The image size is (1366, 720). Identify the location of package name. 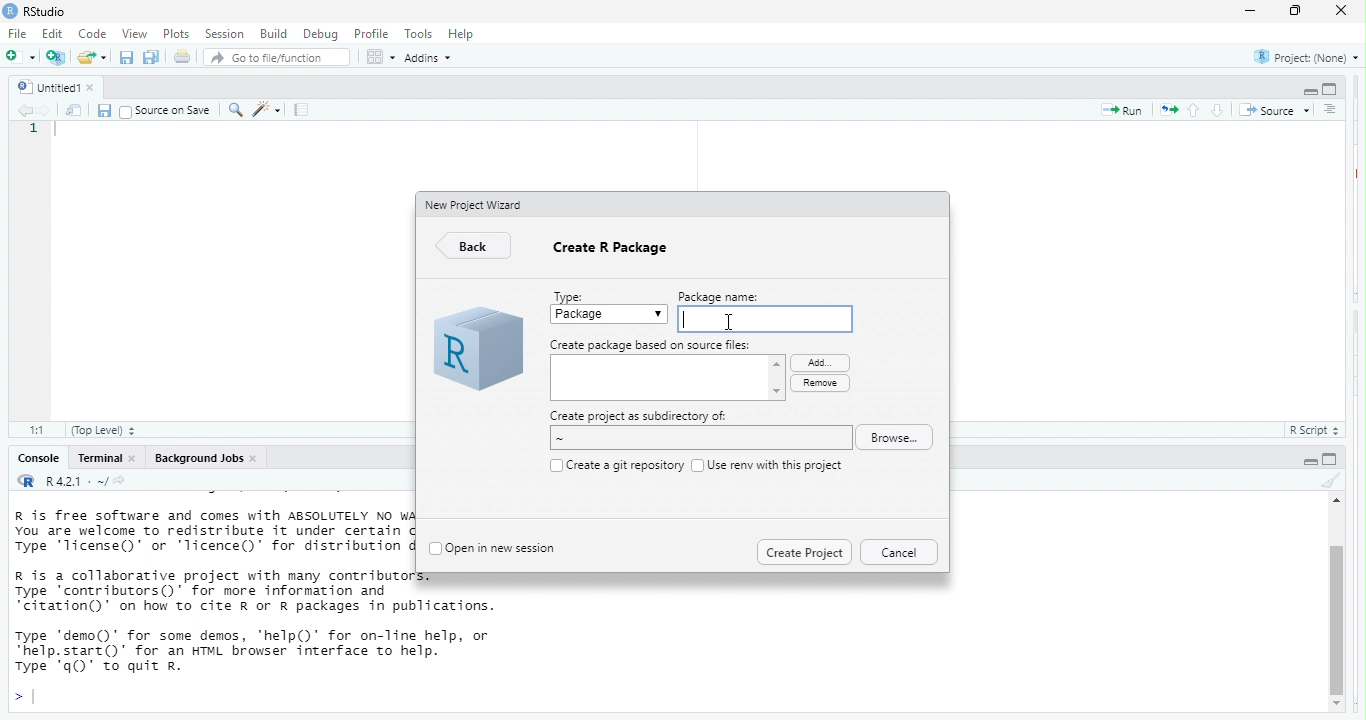
(764, 318).